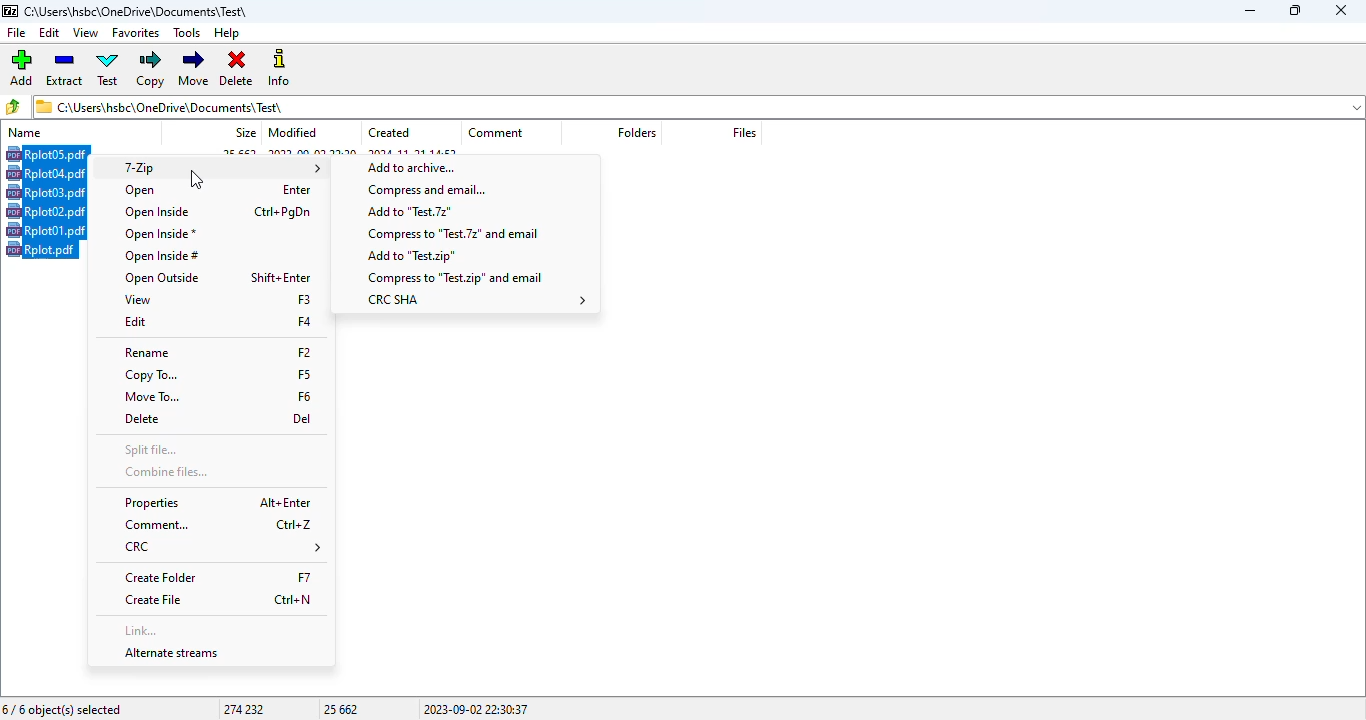 The width and height of the screenshot is (1366, 720). Describe the element at coordinates (166, 471) in the screenshot. I see `combine files` at that location.